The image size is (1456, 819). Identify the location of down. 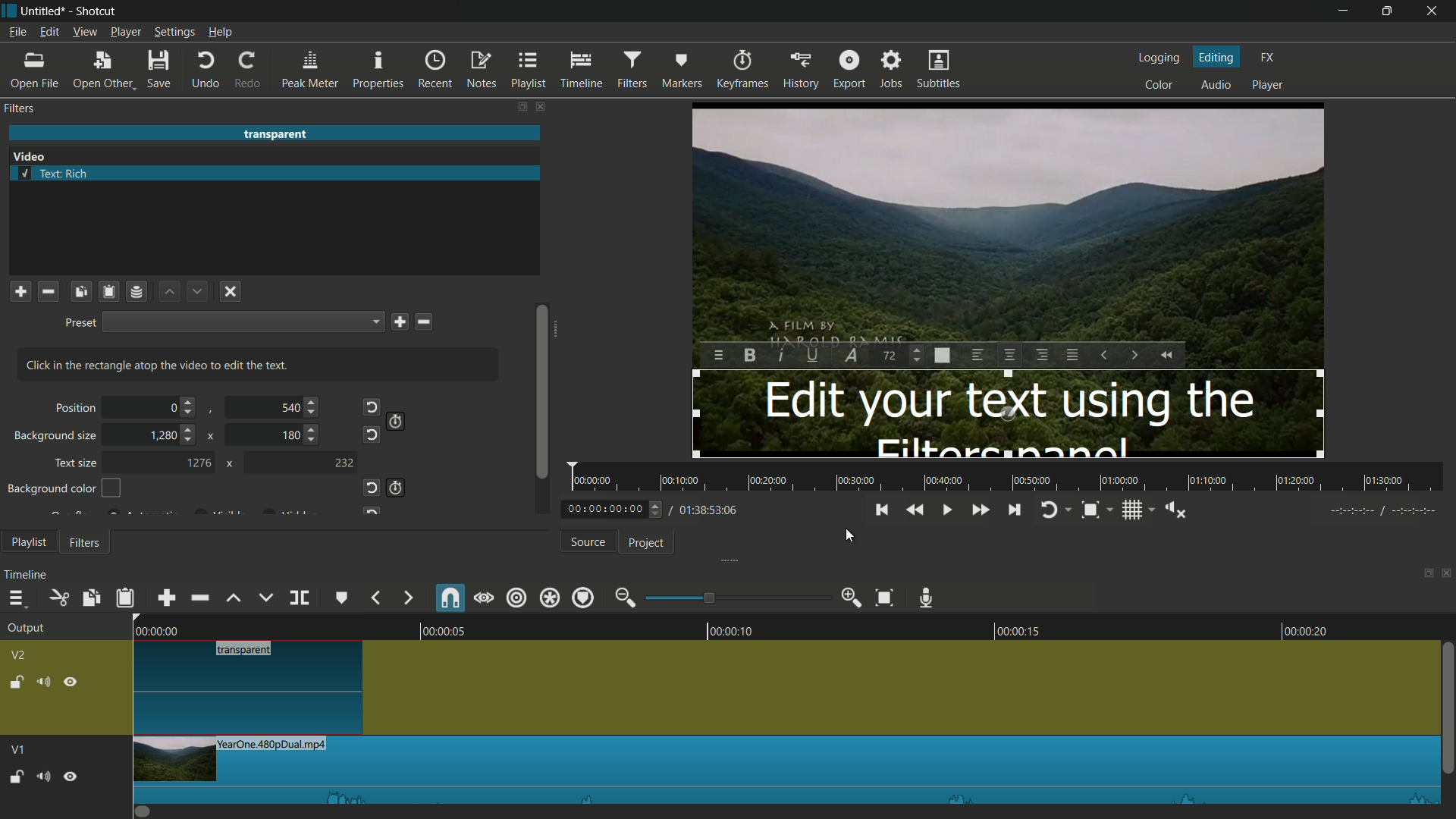
(196, 292).